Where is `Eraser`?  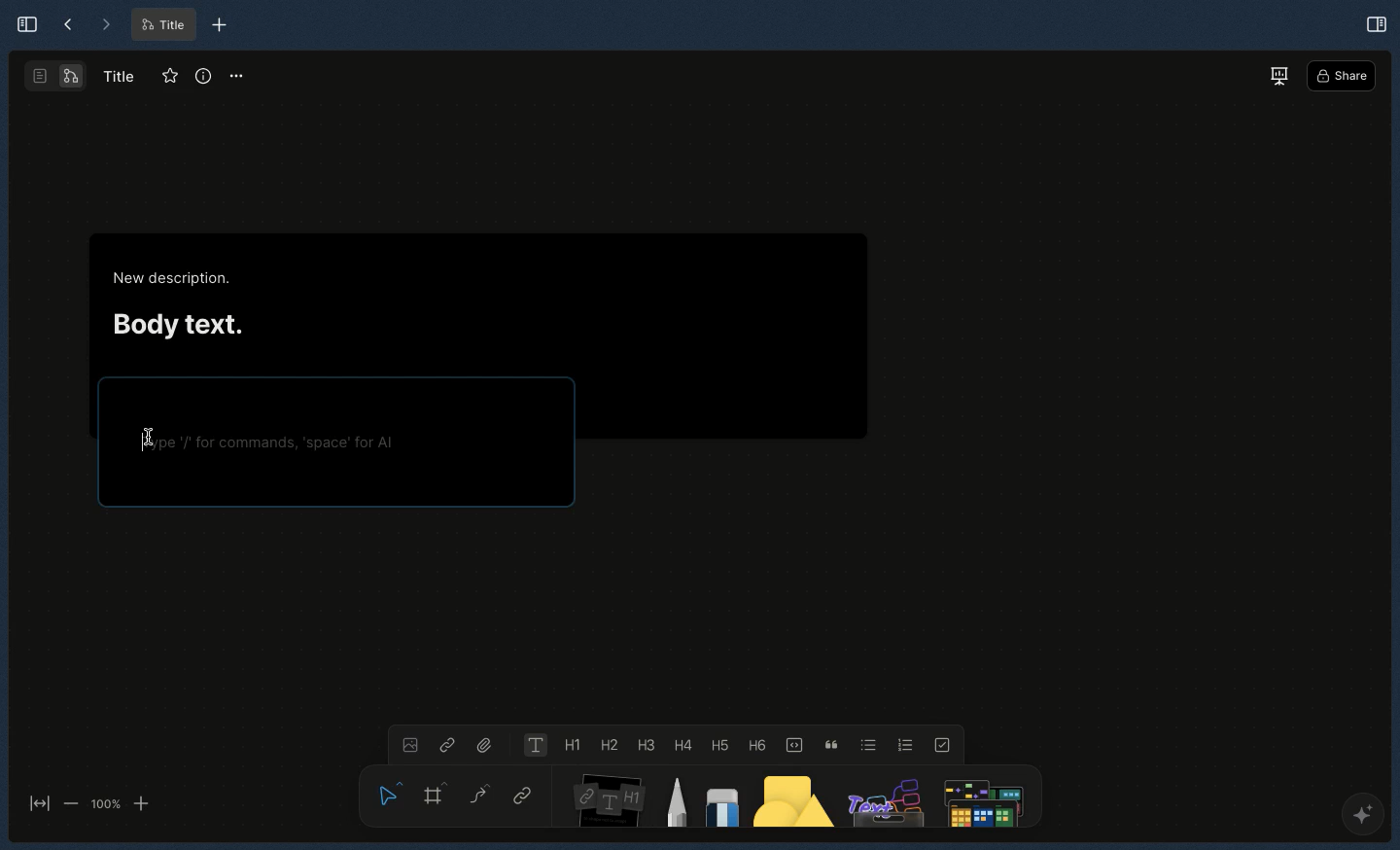 Eraser is located at coordinates (720, 802).